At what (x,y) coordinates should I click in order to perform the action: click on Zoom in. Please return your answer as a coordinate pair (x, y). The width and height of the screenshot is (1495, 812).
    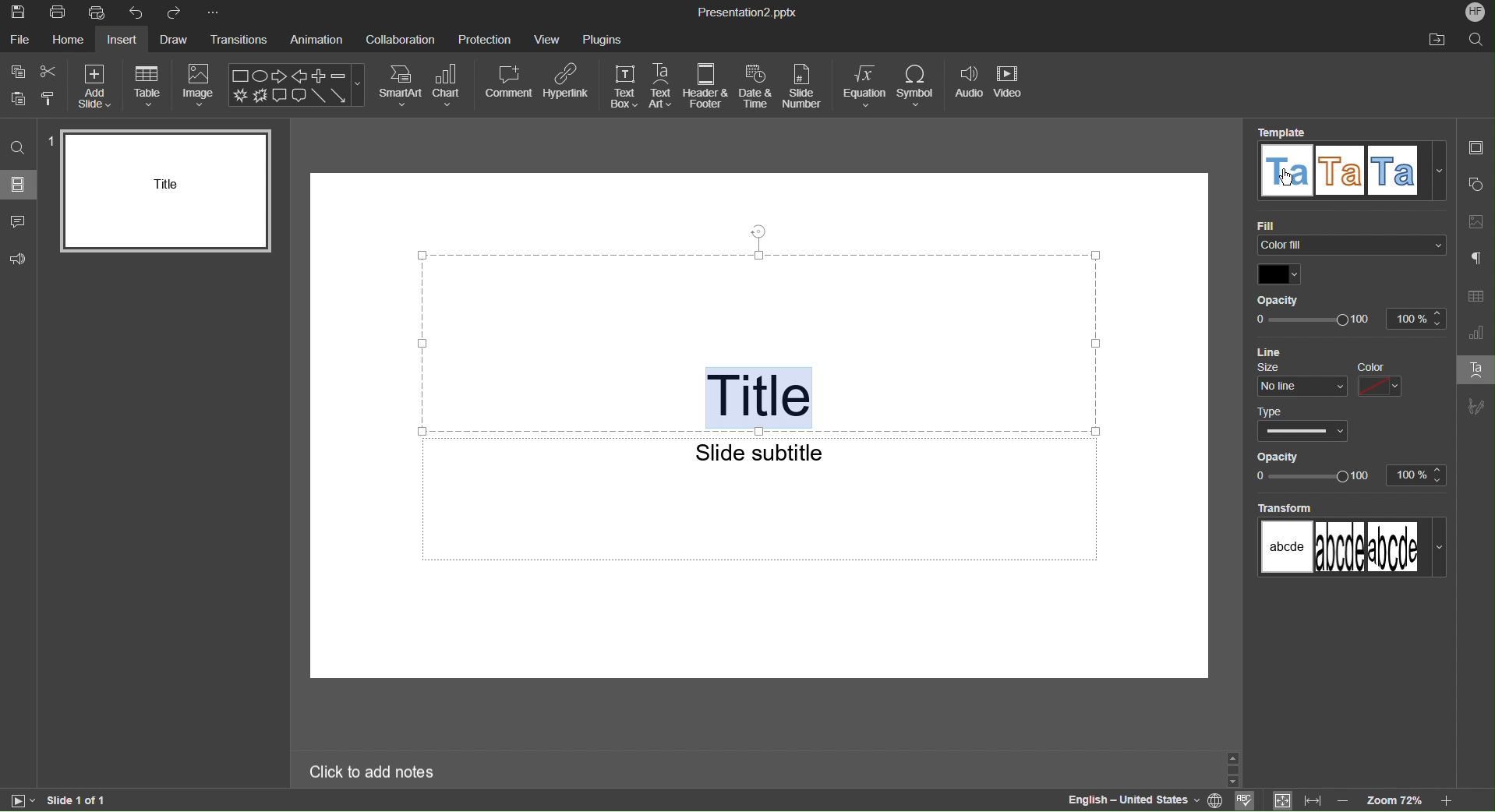
    Looking at the image, I should click on (1449, 802).